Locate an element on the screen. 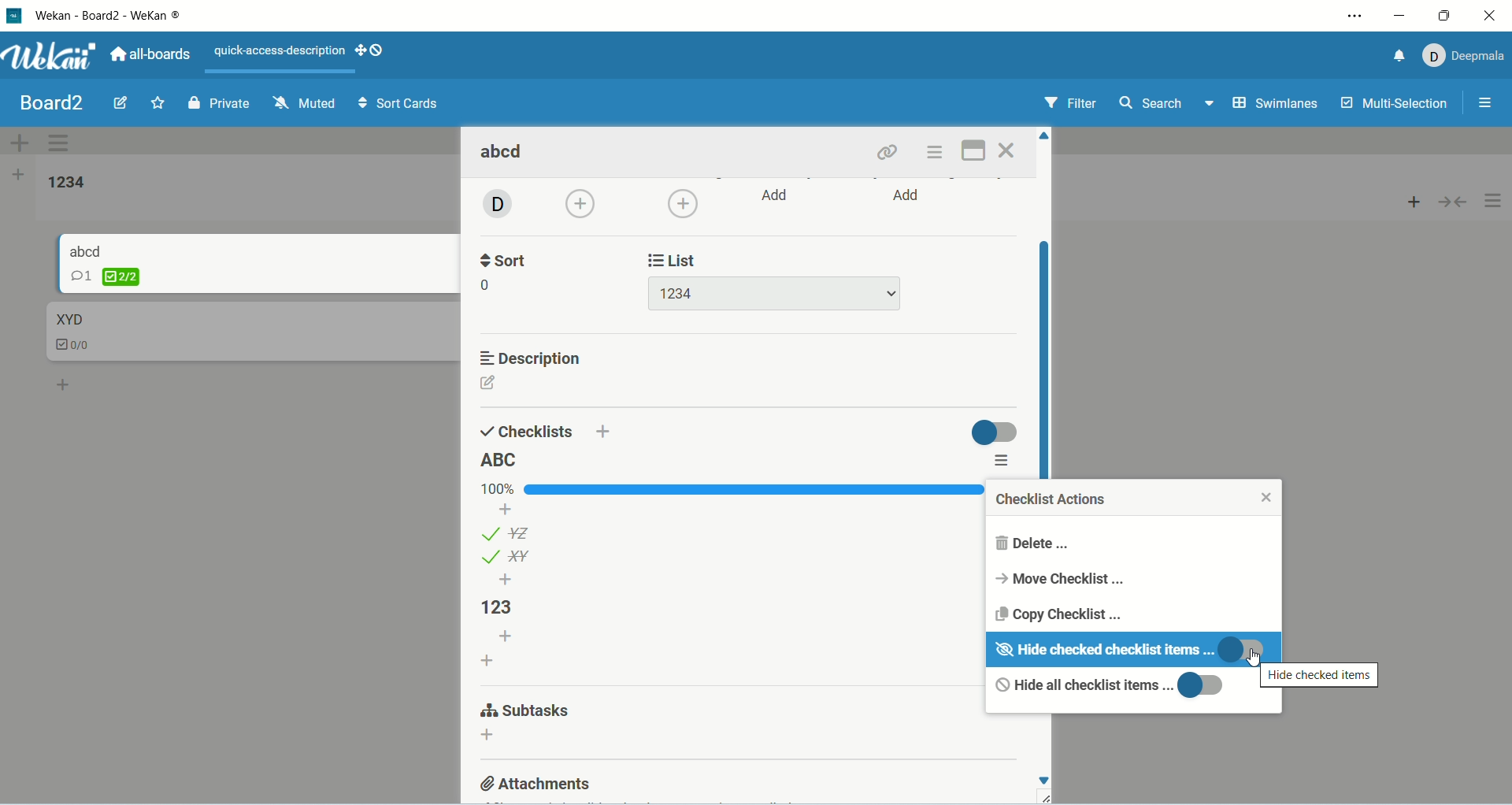 The width and height of the screenshot is (1512, 805). maximize is located at coordinates (972, 152).